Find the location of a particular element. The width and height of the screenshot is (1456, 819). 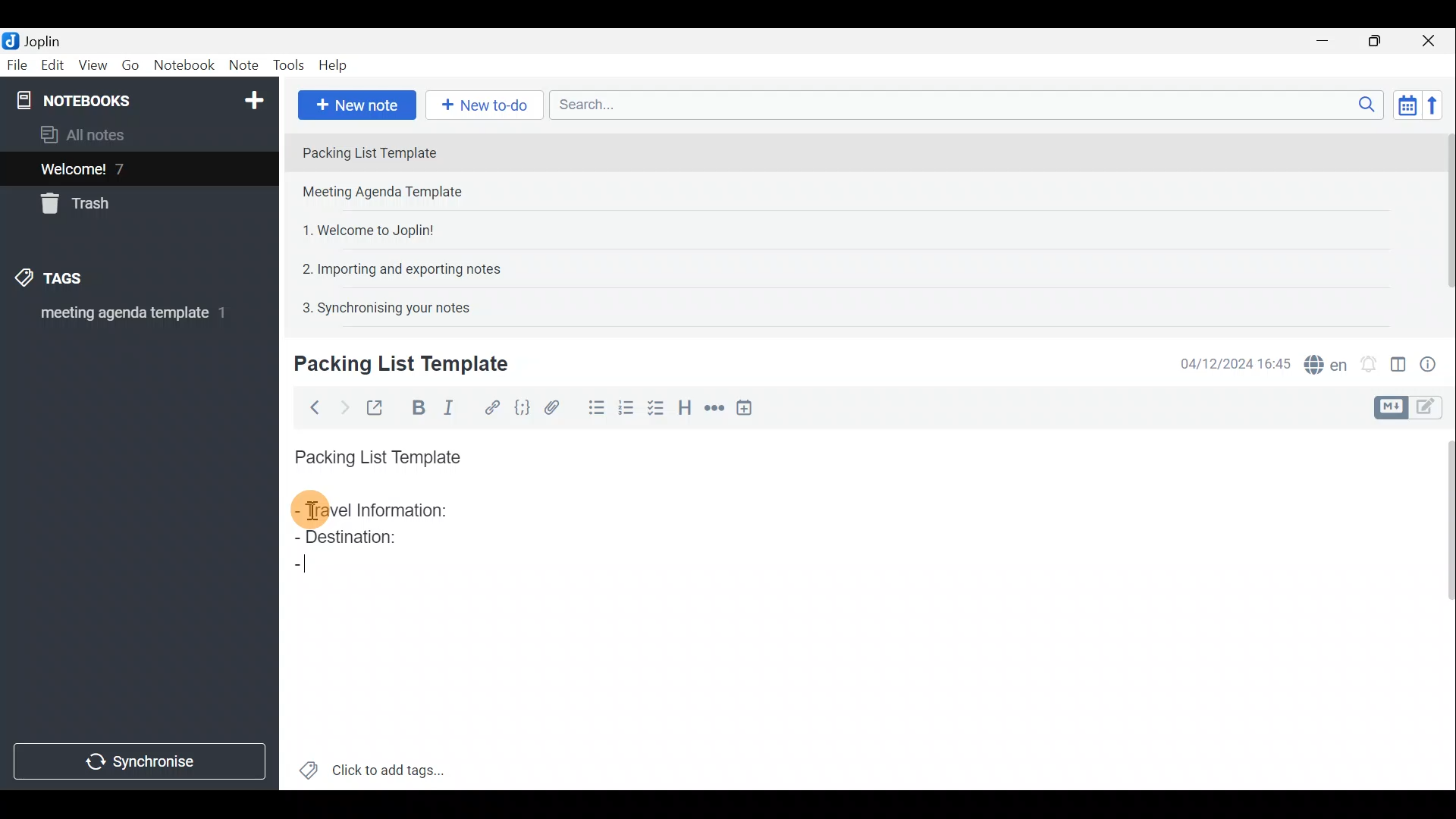

New note is located at coordinates (356, 103).